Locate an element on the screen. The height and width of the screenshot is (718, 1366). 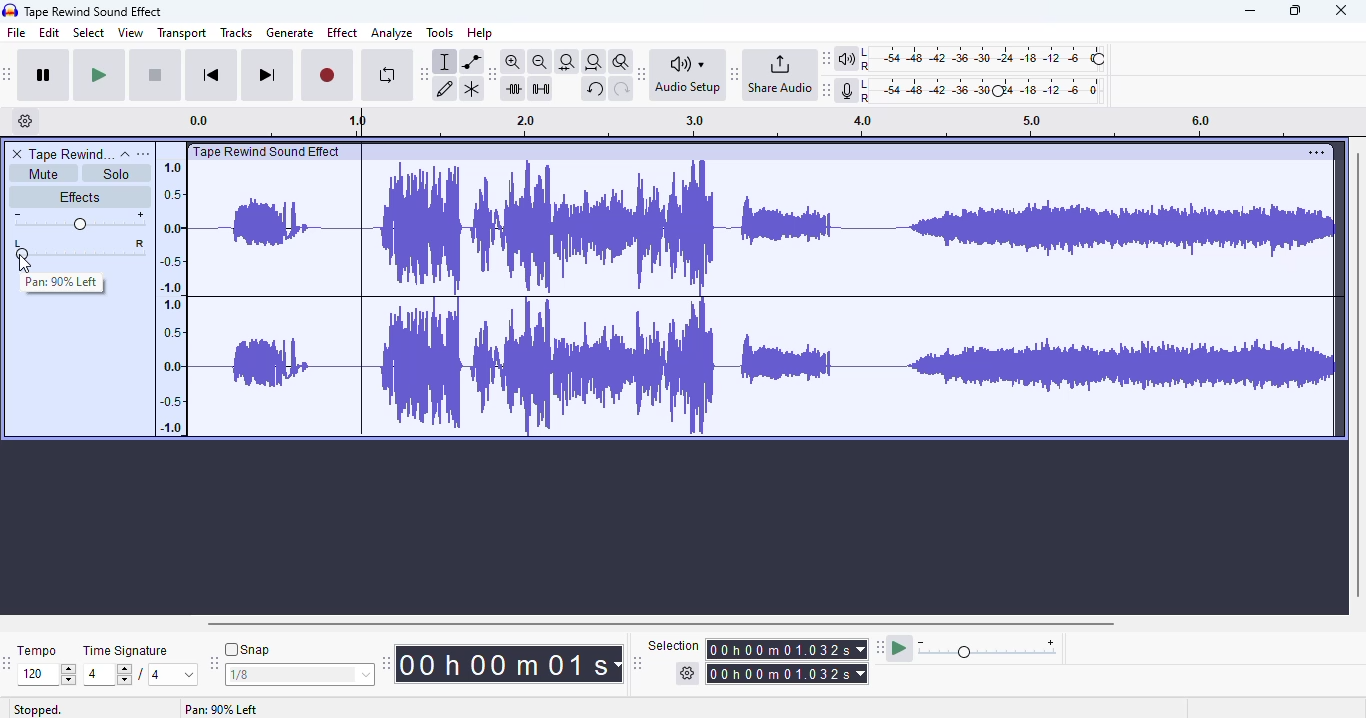
zoom in is located at coordinates (512, 61).